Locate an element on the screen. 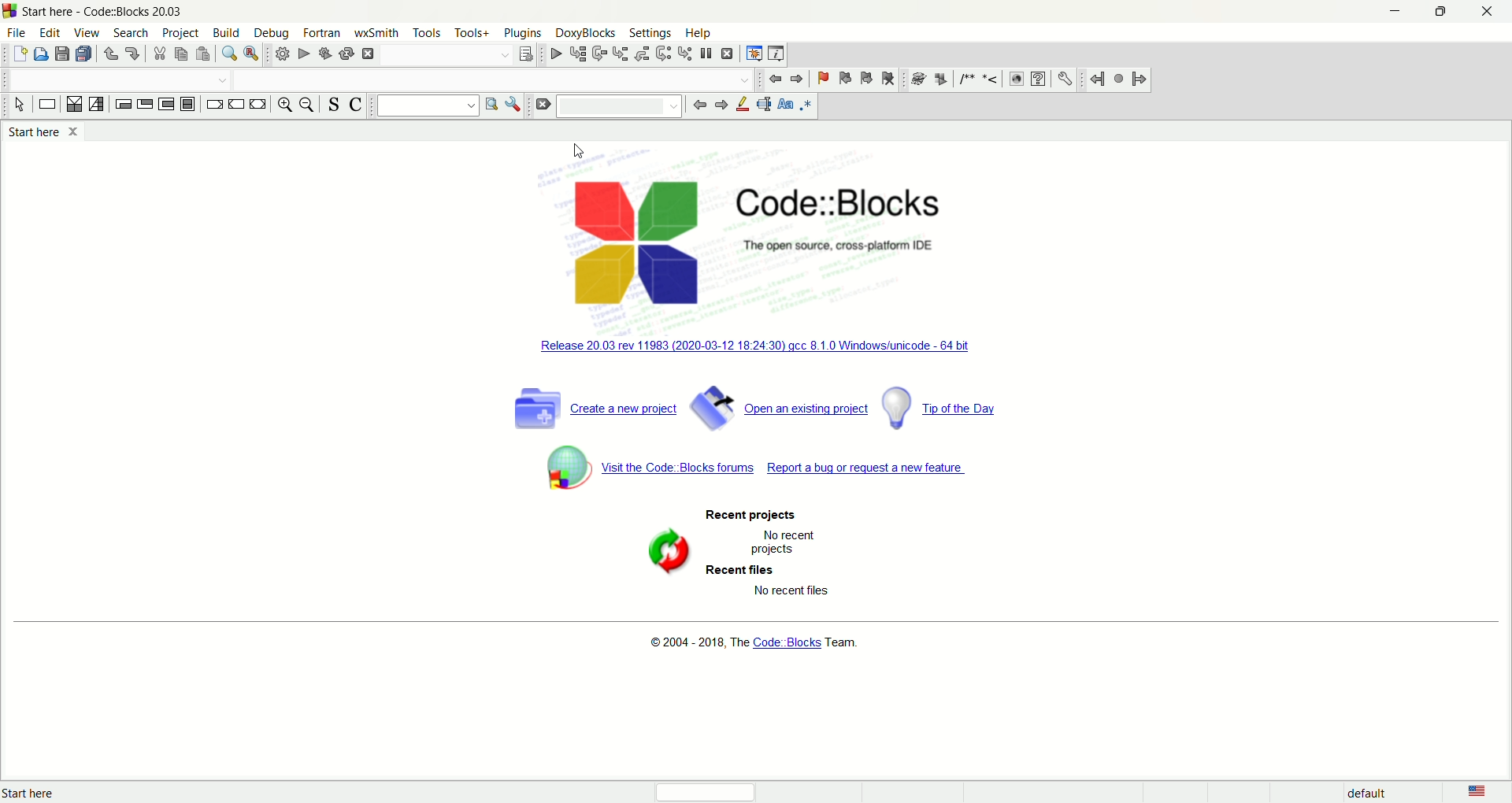 The height and width of the screenshot is (803, 1512). toggle source is located at coordinates (334, 105).